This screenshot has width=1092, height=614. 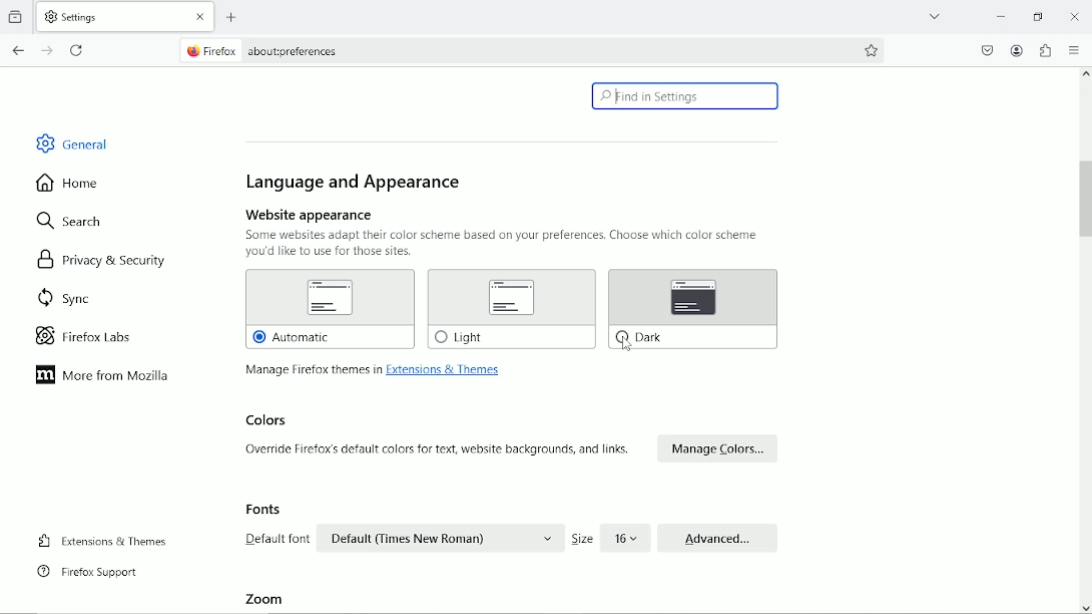 What do you see at coordinates (19, 48) in the screenshot?
I see `go back` at bounding box center [19, 48].